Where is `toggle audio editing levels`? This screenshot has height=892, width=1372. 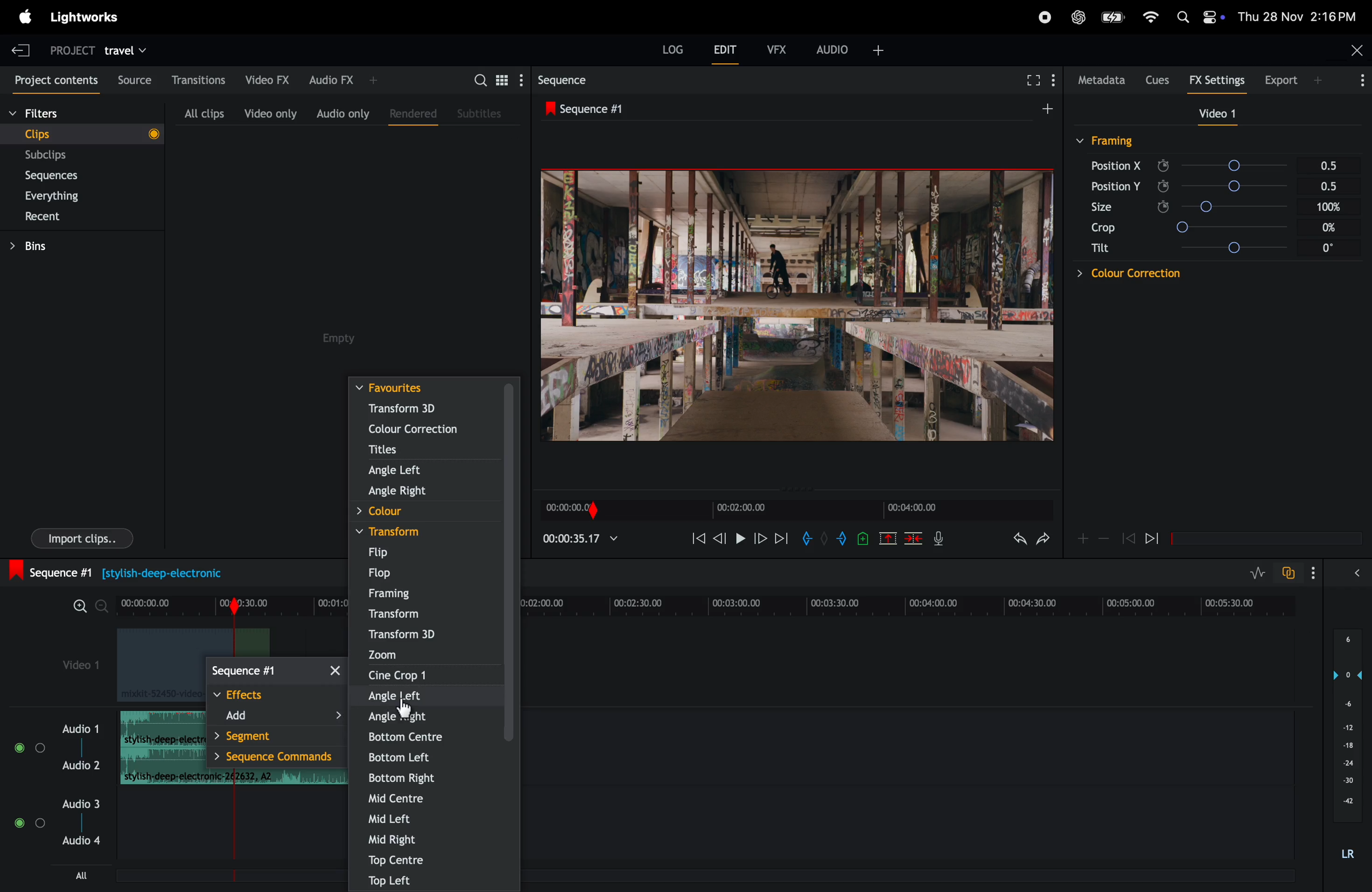
toggle audio editing levels is located at coordinates (1258, 573).